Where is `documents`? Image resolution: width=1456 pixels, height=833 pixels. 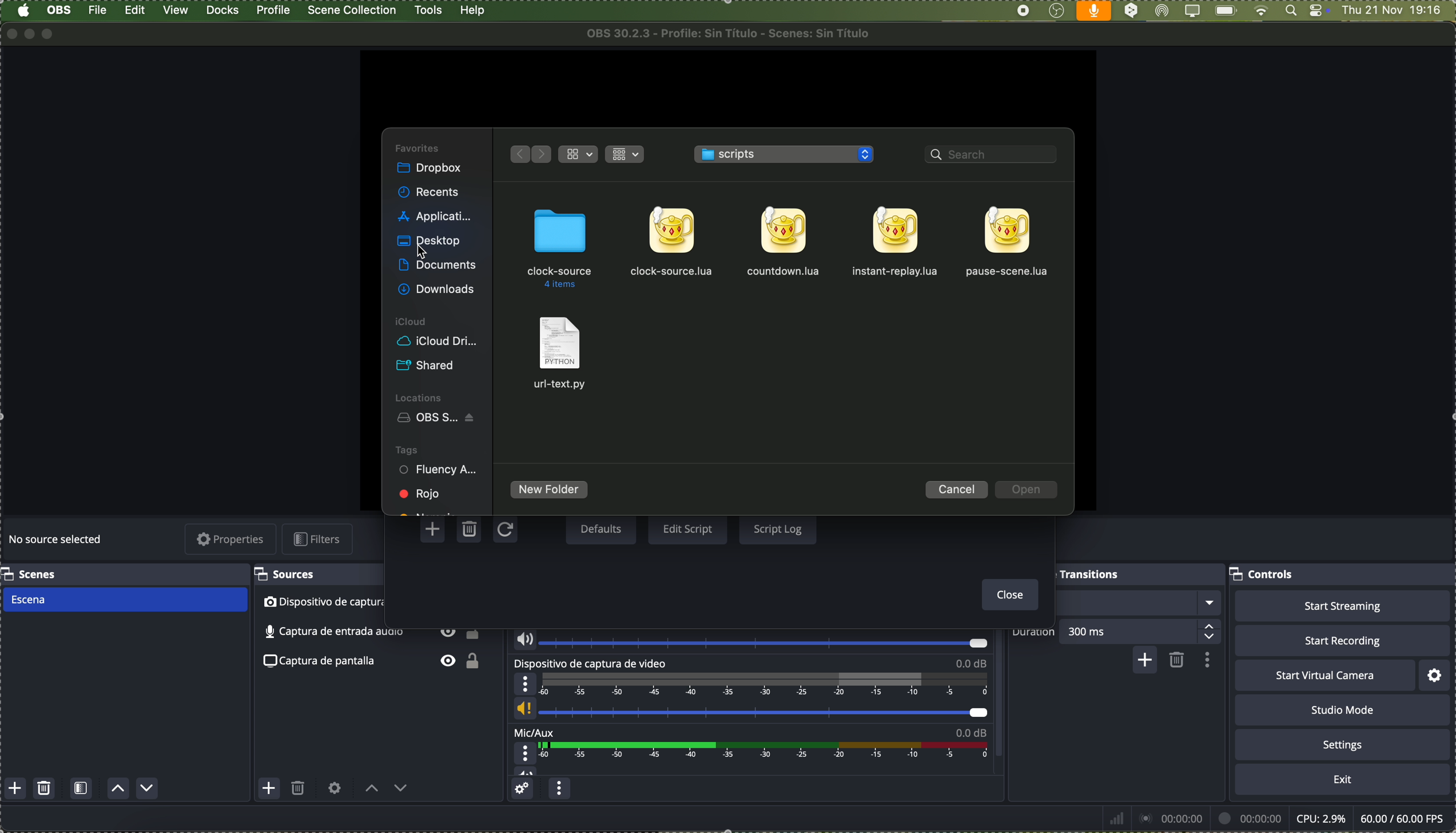 documents is located at coordinates (437, 266).